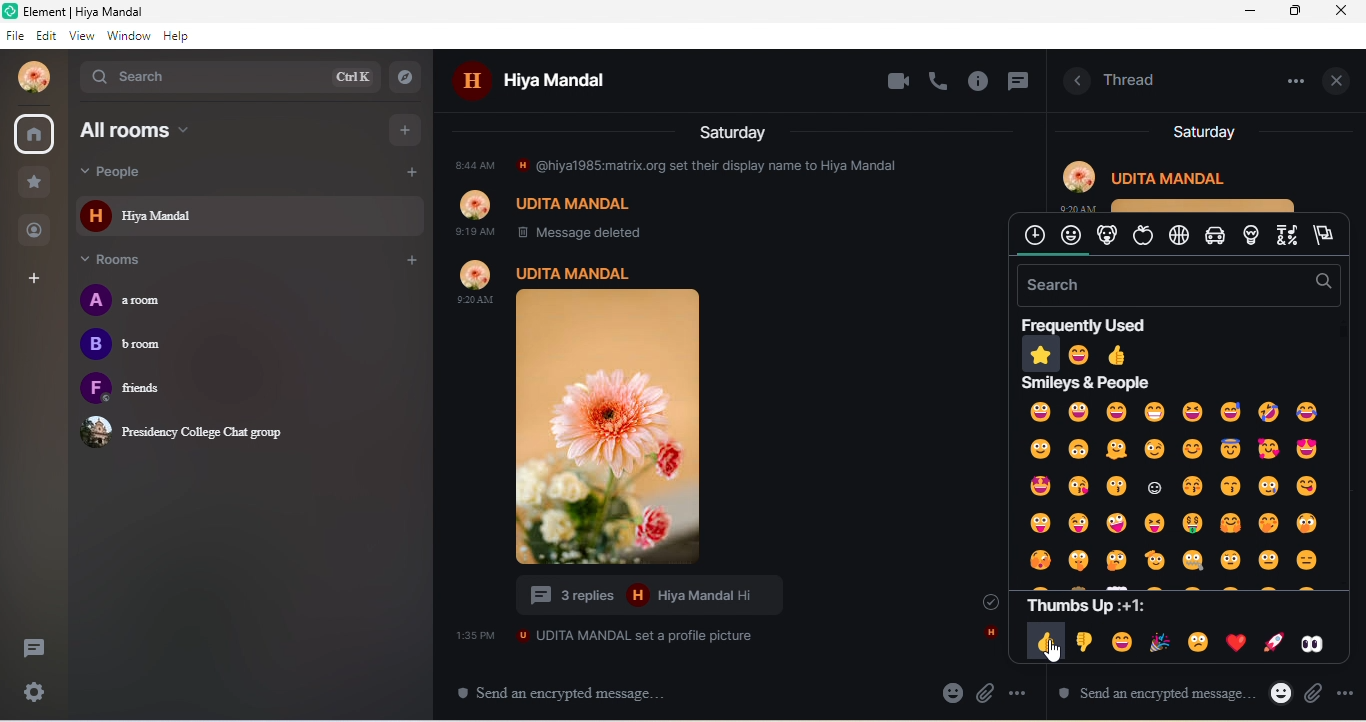 The image size is (1366, 722). What do you see at coordinates (897, 82) in the screenshot?
I see `video call` at bounding box center [897, 82].